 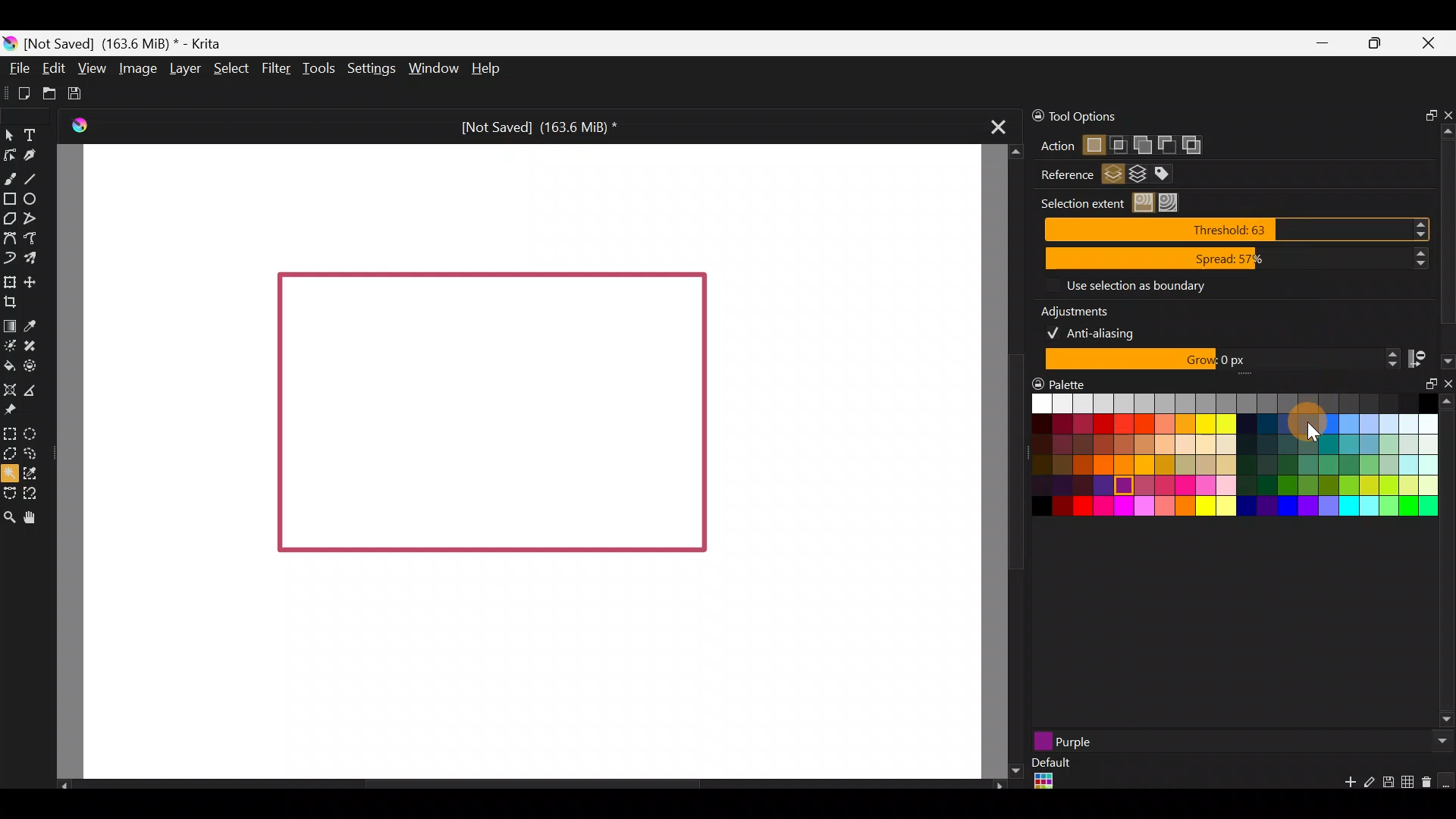 What do you see at coordinates (1220, 462) in the screenshot?
I see `Color palette` at bounding box center [1220, 462].